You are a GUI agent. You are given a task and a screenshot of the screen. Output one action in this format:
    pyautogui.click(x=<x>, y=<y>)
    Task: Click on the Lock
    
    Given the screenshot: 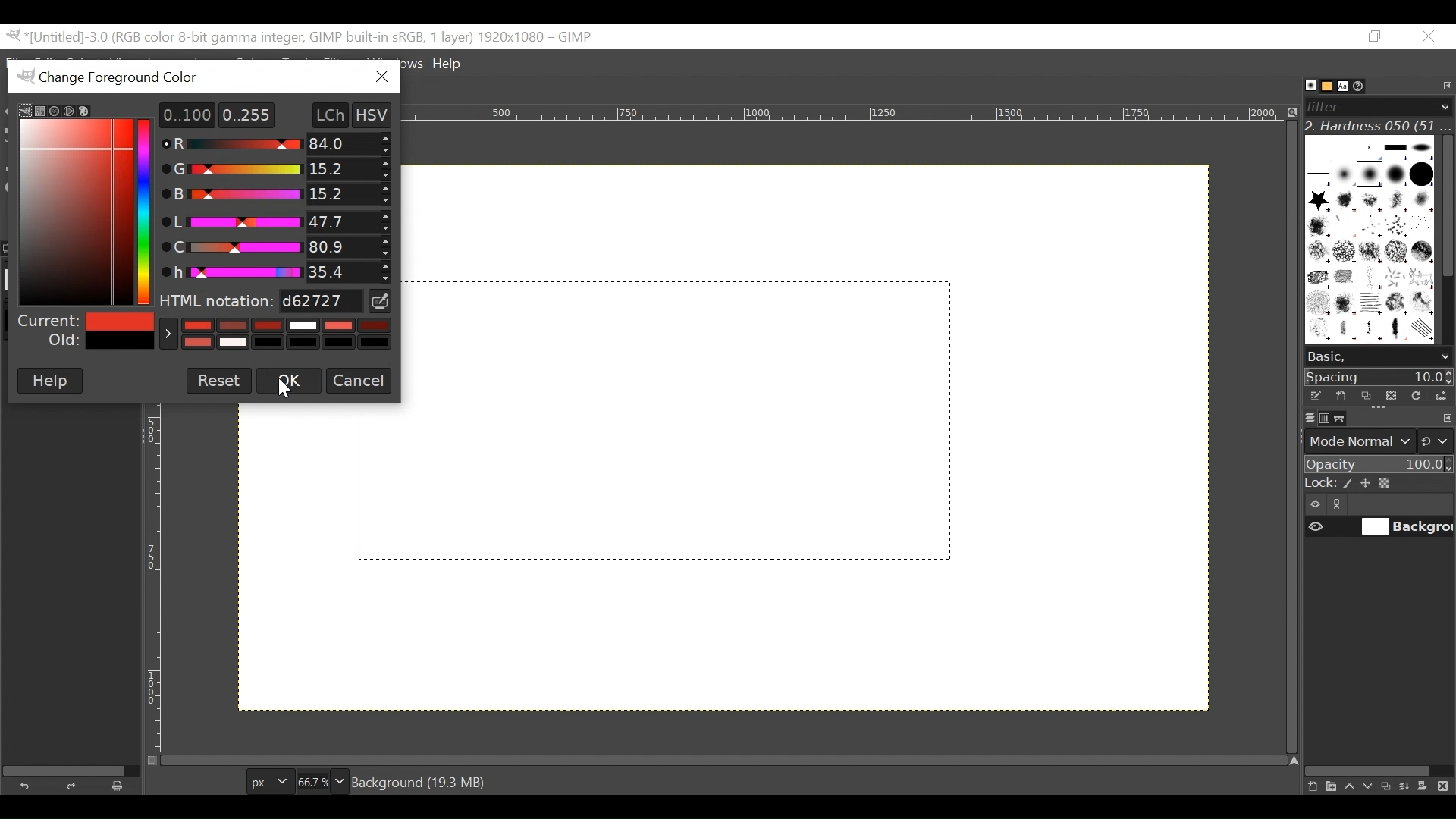 What is the action you would take?
    pyautogui.click(x=1378, y=484)
    